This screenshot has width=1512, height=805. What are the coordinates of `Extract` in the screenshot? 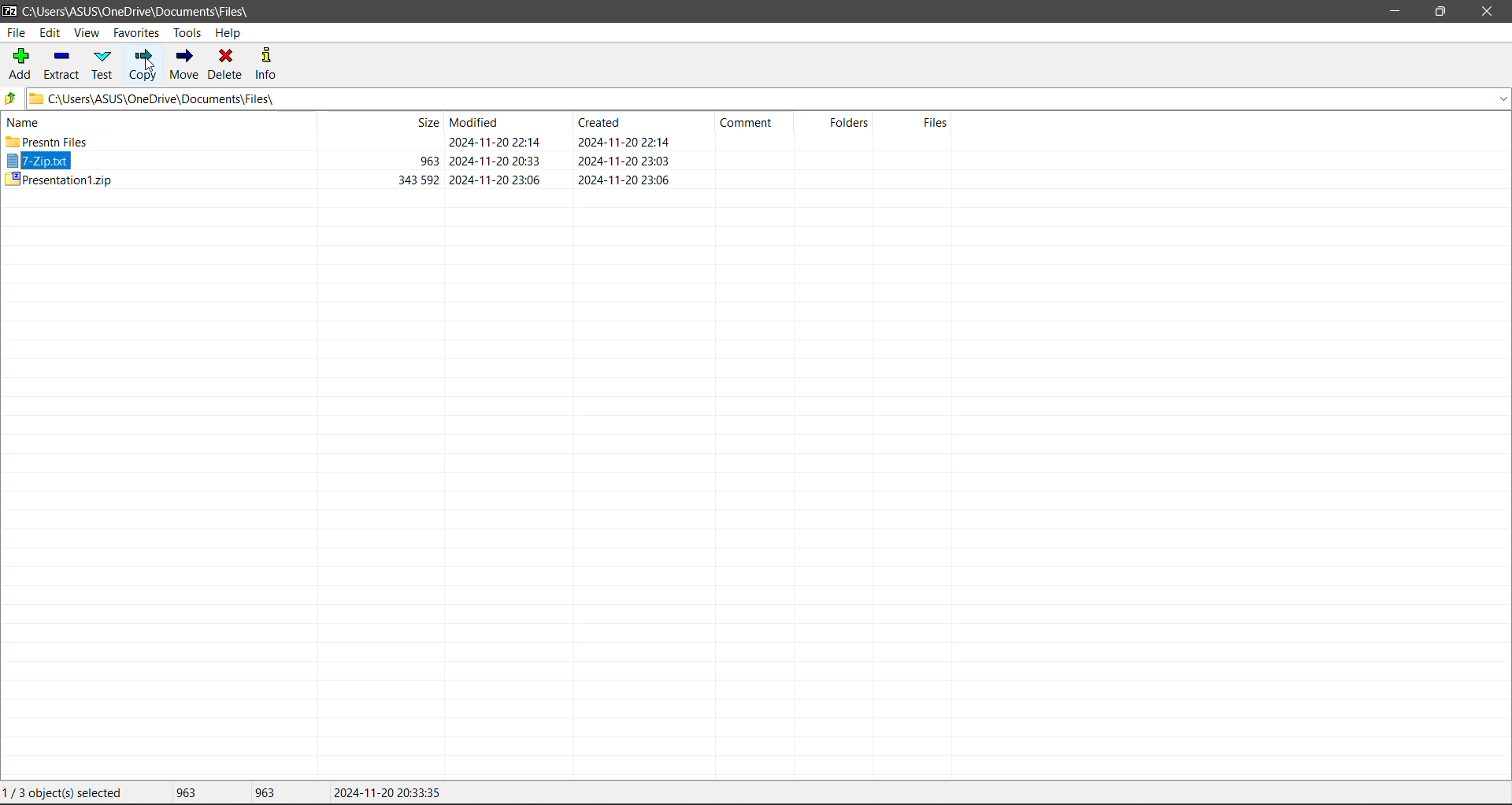 It's located at (61, 63).